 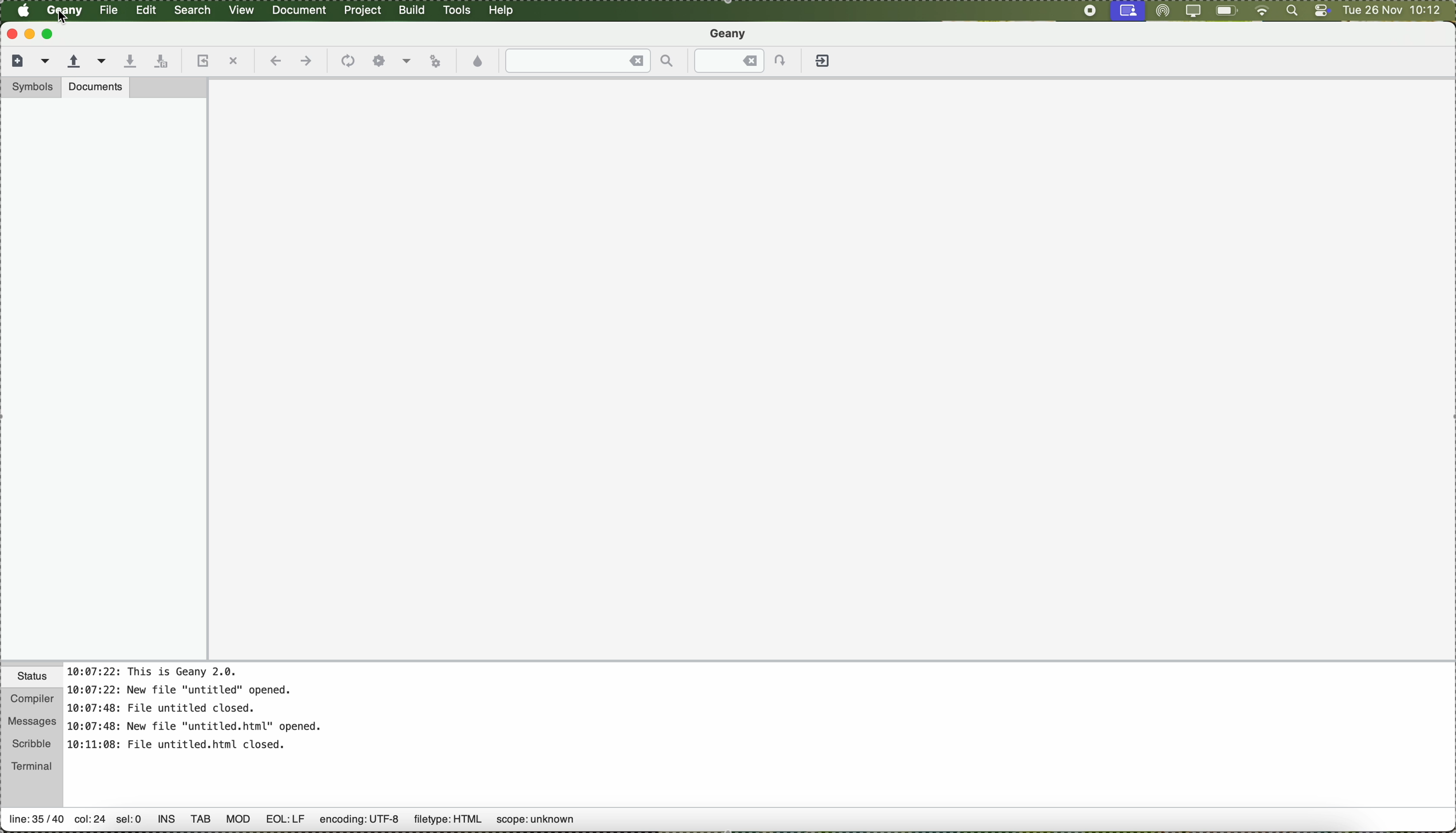 What do you see at coordinates (131, 62) in the screenshot?
I see `save the current file` at bounding box center [131, 62].